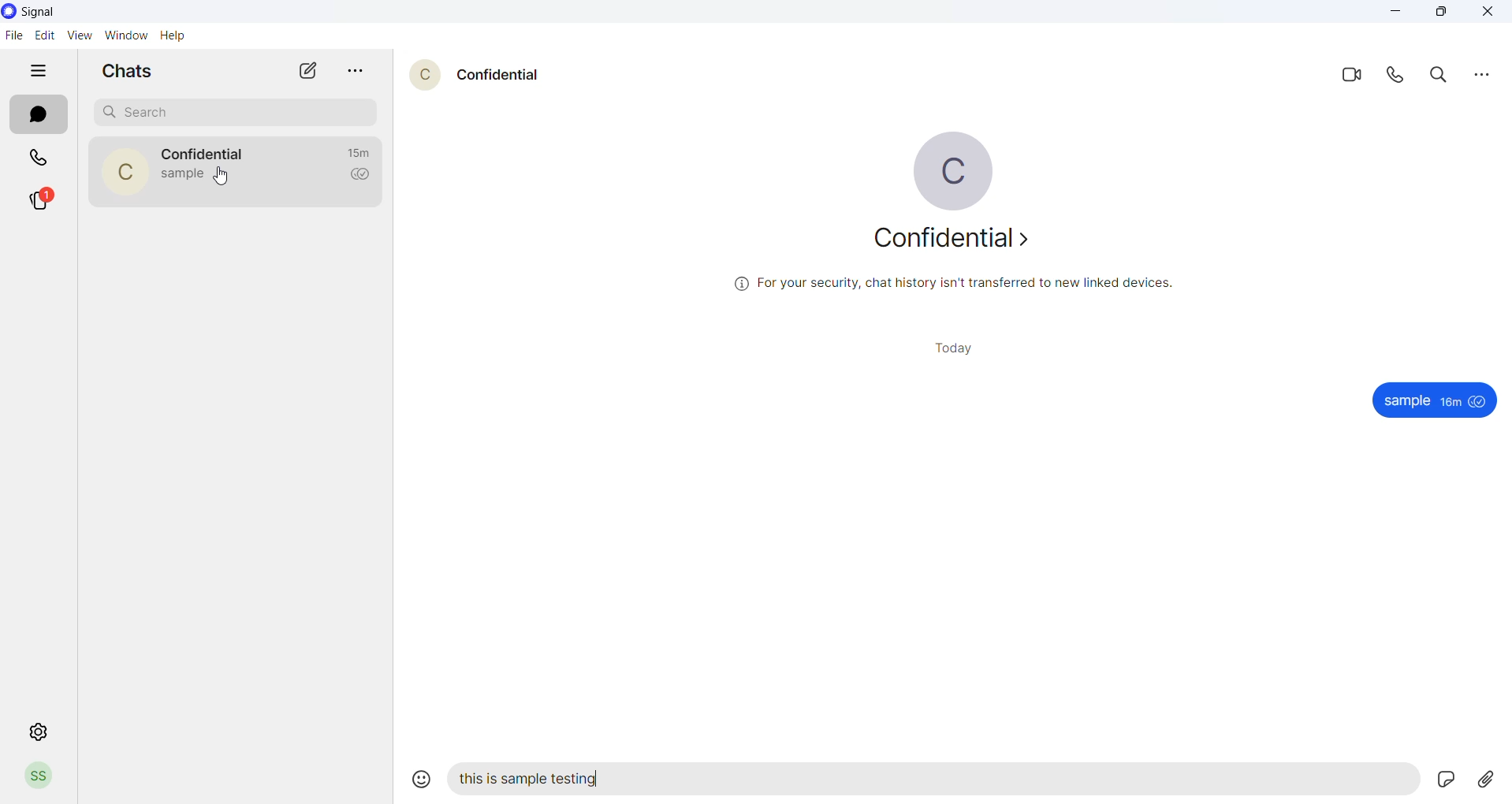 Image resolution: width=1512 pixels, height=804 pixels. What do you see at coordinates (229, 109) in the screenshot?
I see `search` at bounding box center [229, 109].